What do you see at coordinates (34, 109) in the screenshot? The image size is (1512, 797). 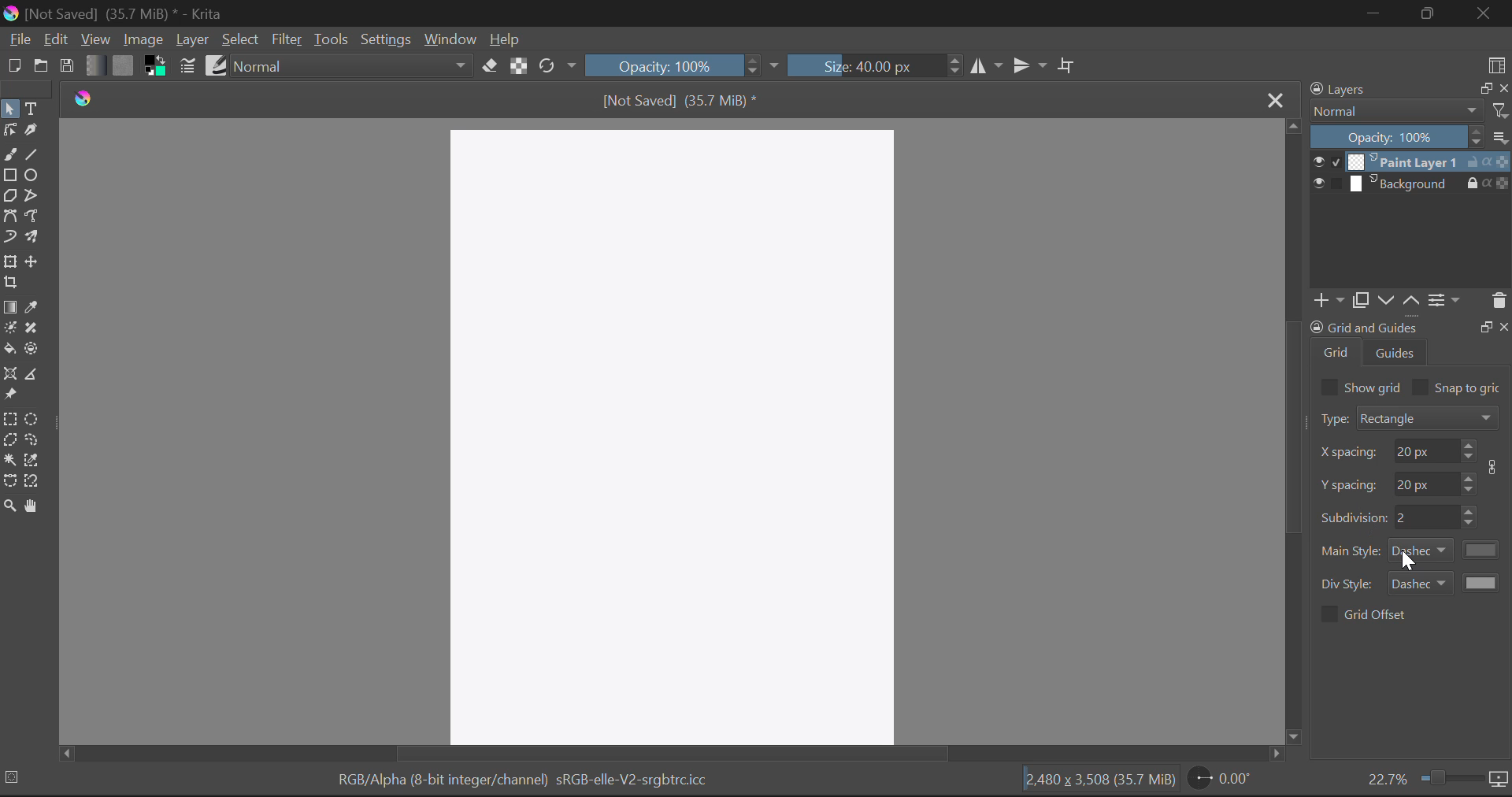 I see `Text` at bounding box center [34, 109].